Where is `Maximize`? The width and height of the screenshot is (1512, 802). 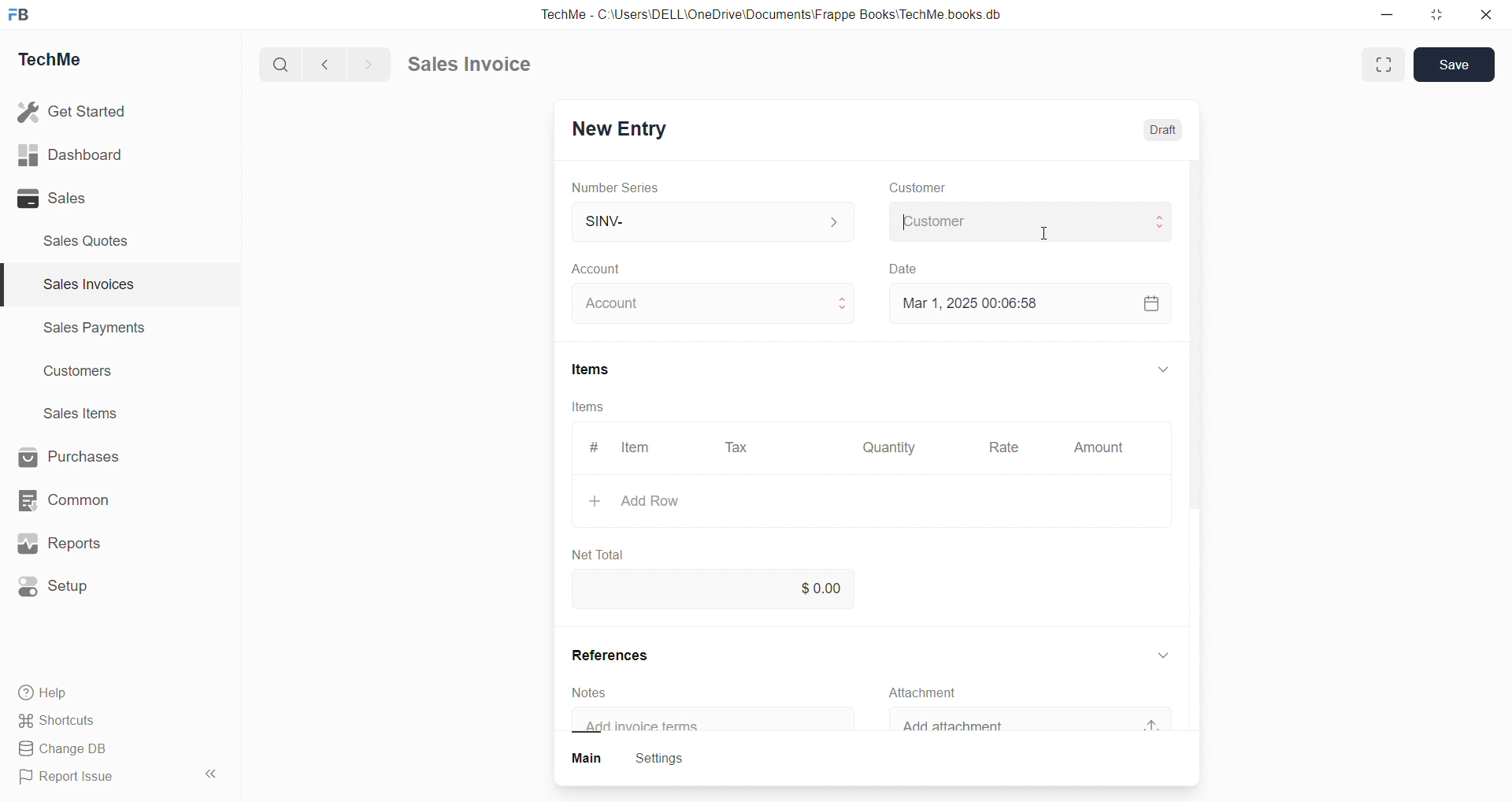
Maximize is located at coordinates (1439, 18).